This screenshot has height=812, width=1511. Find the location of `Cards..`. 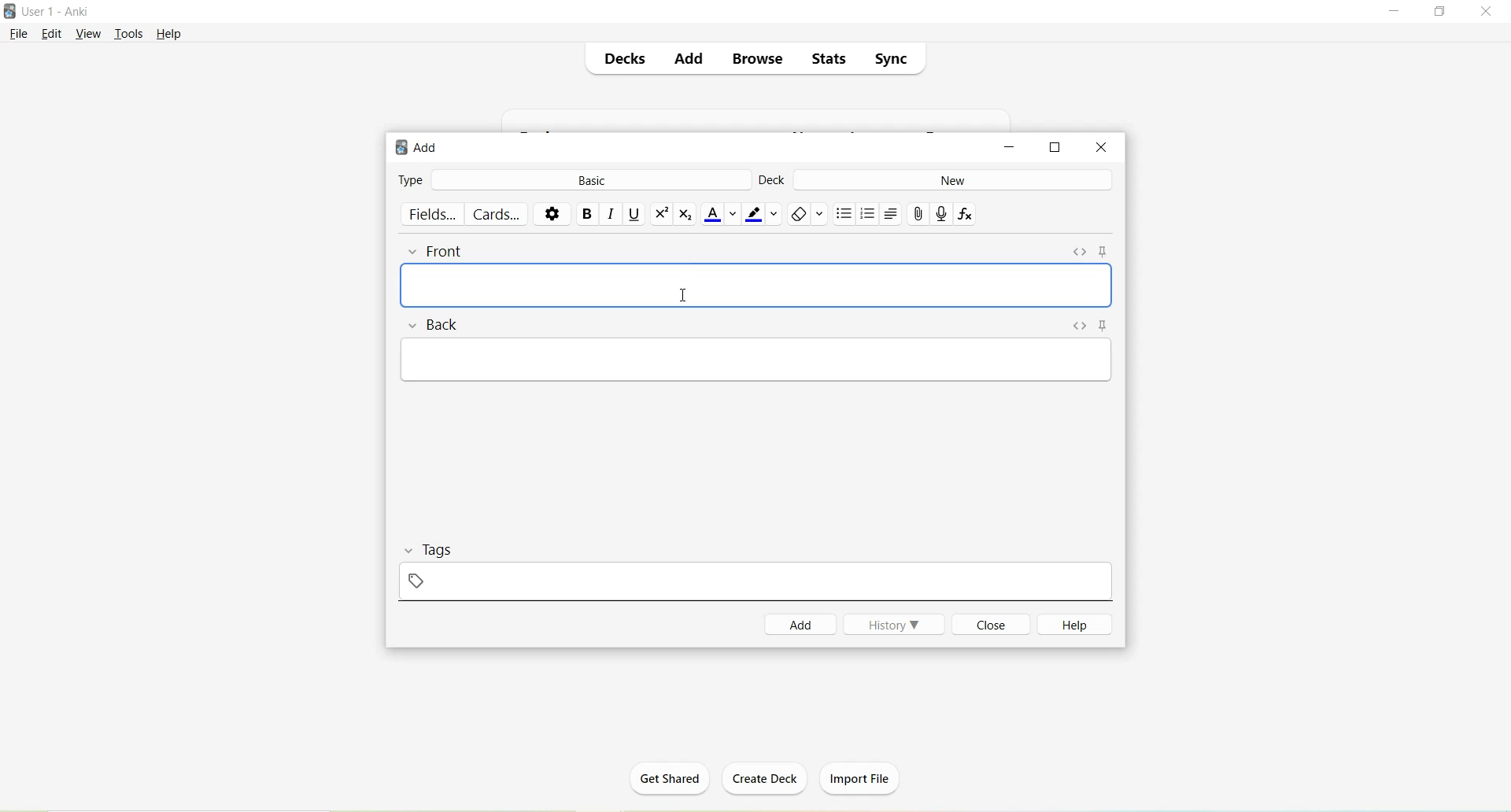

Cards.. is located at coordinates (498, 214).